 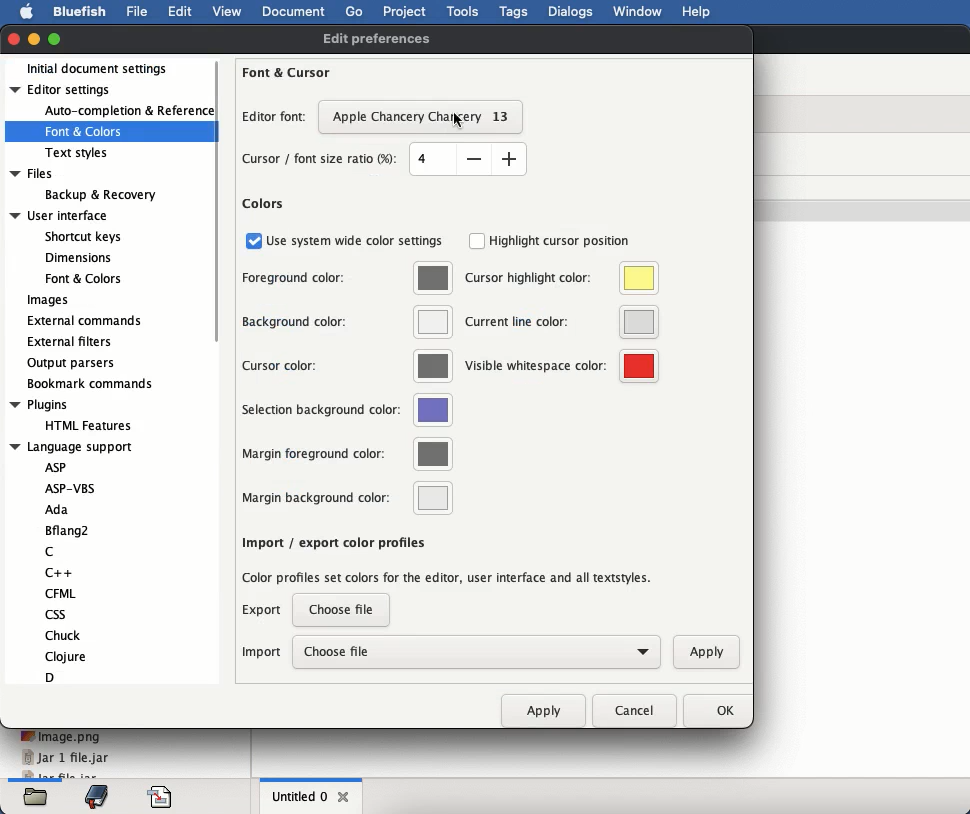 I want to click on files, so click(x=84, y=185).